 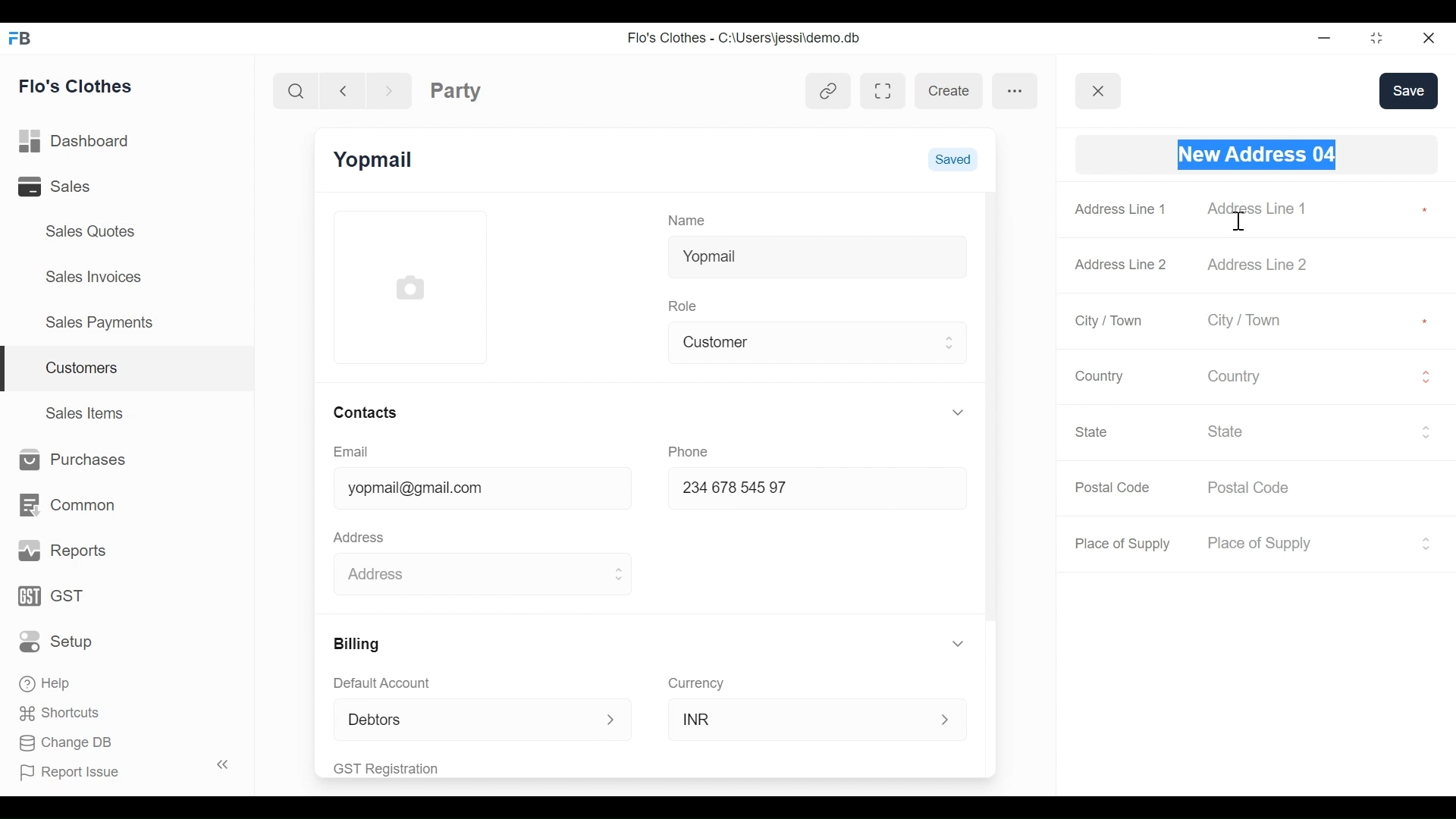 What do you see at coordinates (55, 712) in the screenshot?
I see `Shortcuts` at bounding box center [55, 712].